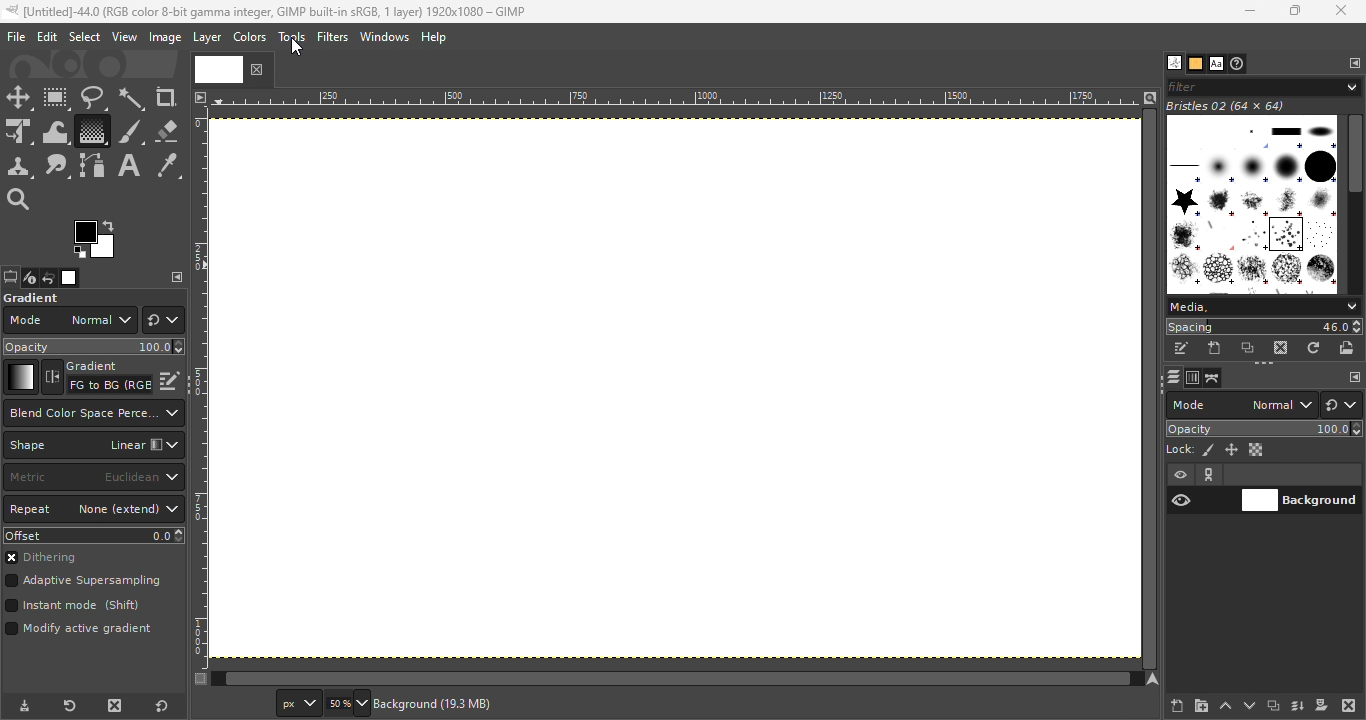  I want to click on Shape, so click(93, 445).